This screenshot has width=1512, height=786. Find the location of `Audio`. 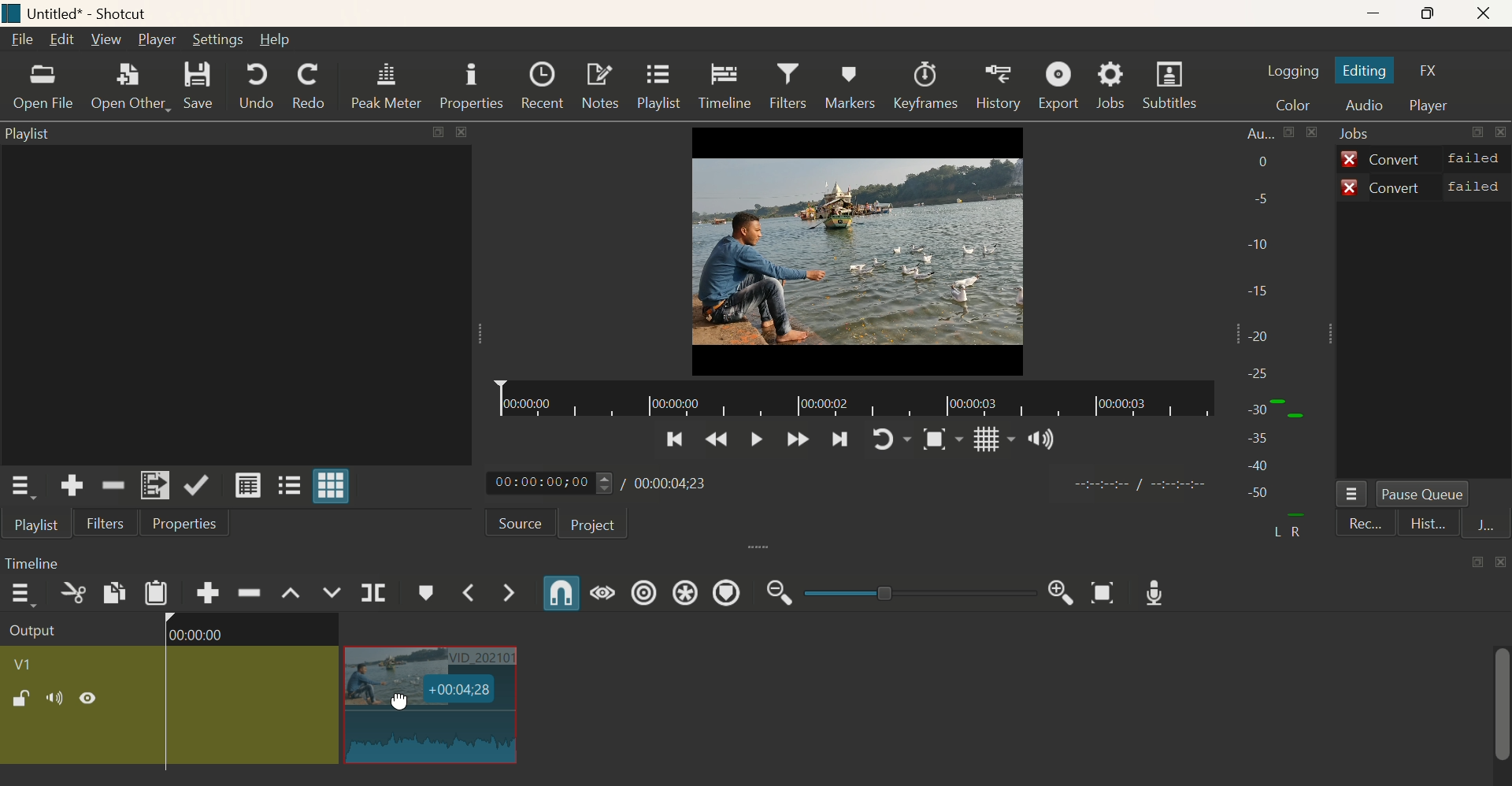

Audio is located at coordinates (1366, 106).